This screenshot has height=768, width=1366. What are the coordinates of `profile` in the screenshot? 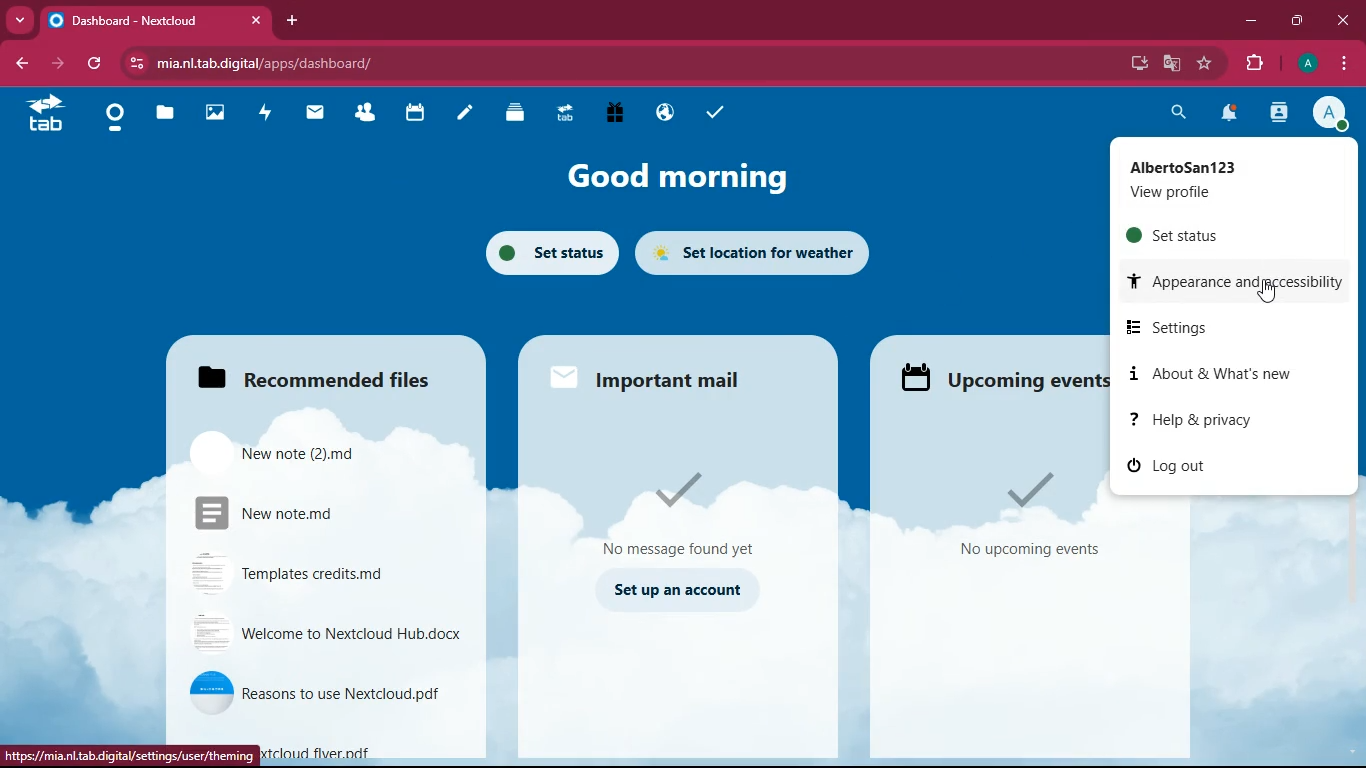 It's located at (1305, 65).